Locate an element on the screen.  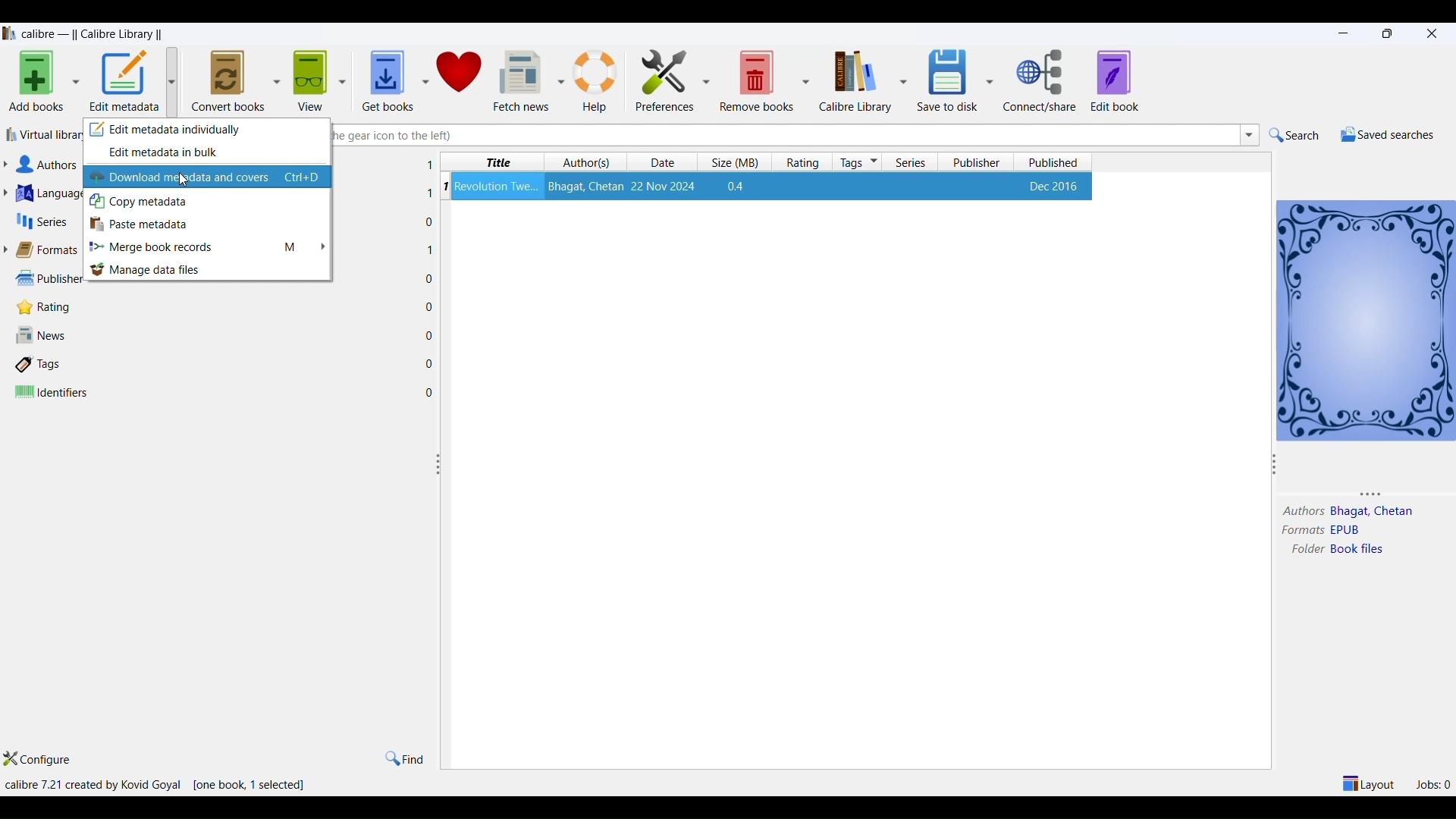
identifiers is located at coordinates (53, 393).